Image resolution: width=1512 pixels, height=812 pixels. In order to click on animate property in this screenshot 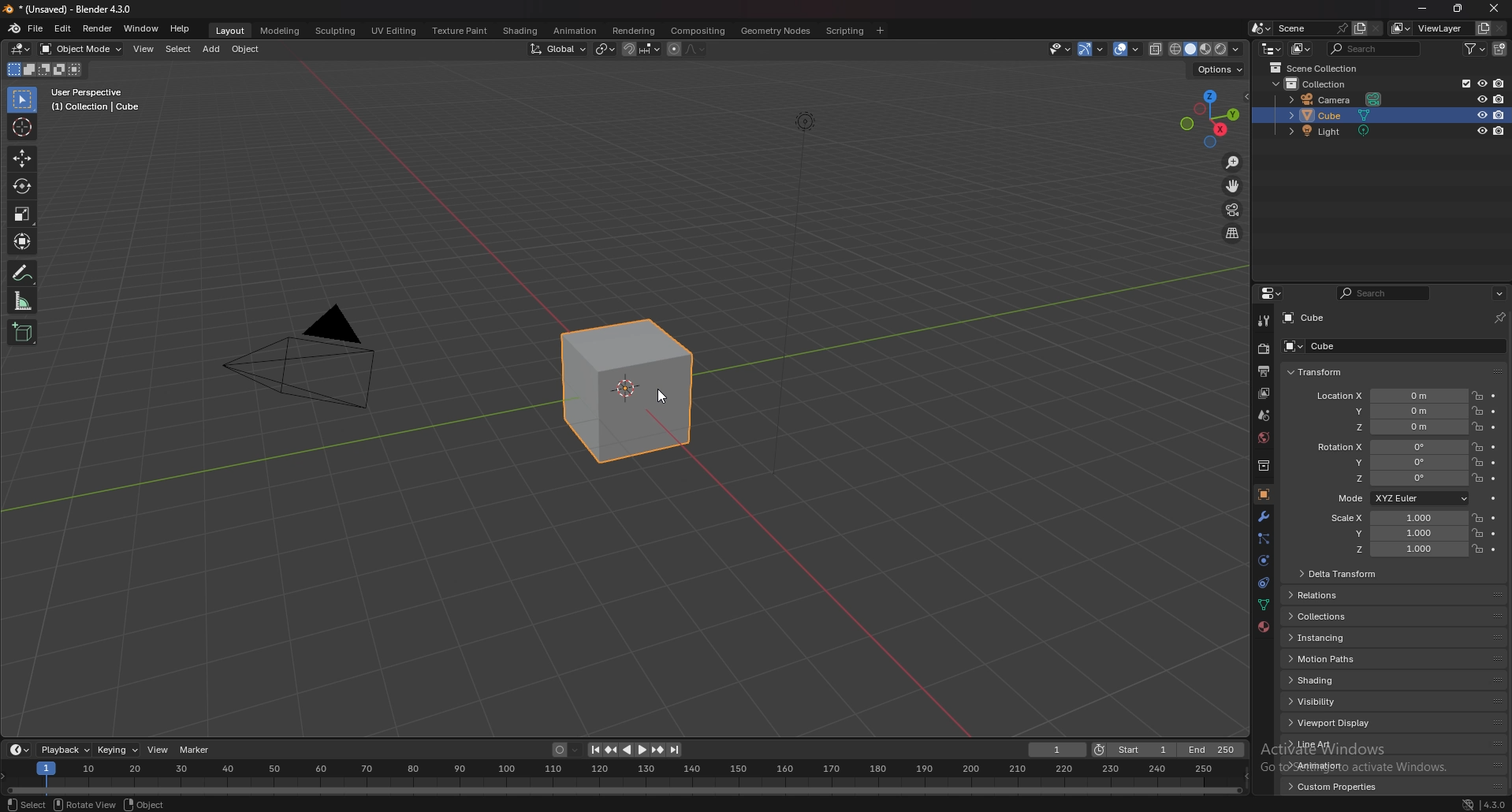, I will do `click(1494, 479)`.